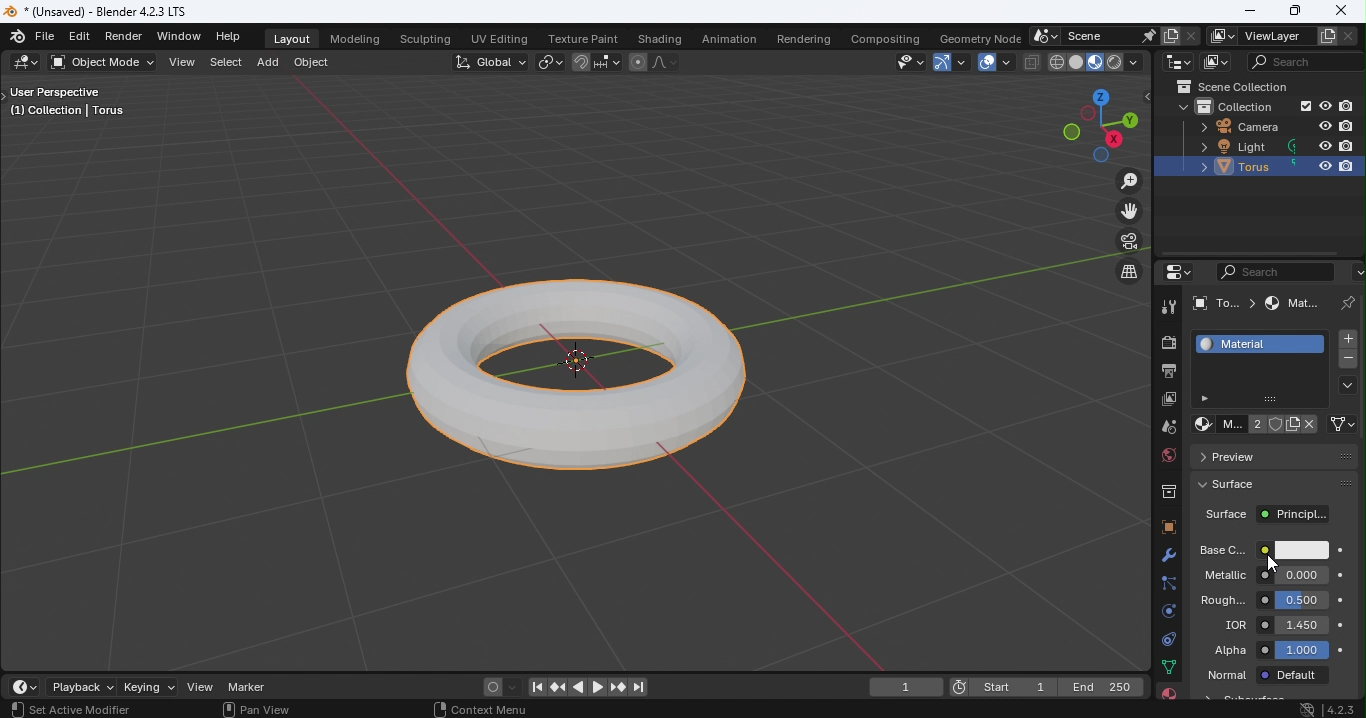  I want to click on Base color, so click(1259, 550).